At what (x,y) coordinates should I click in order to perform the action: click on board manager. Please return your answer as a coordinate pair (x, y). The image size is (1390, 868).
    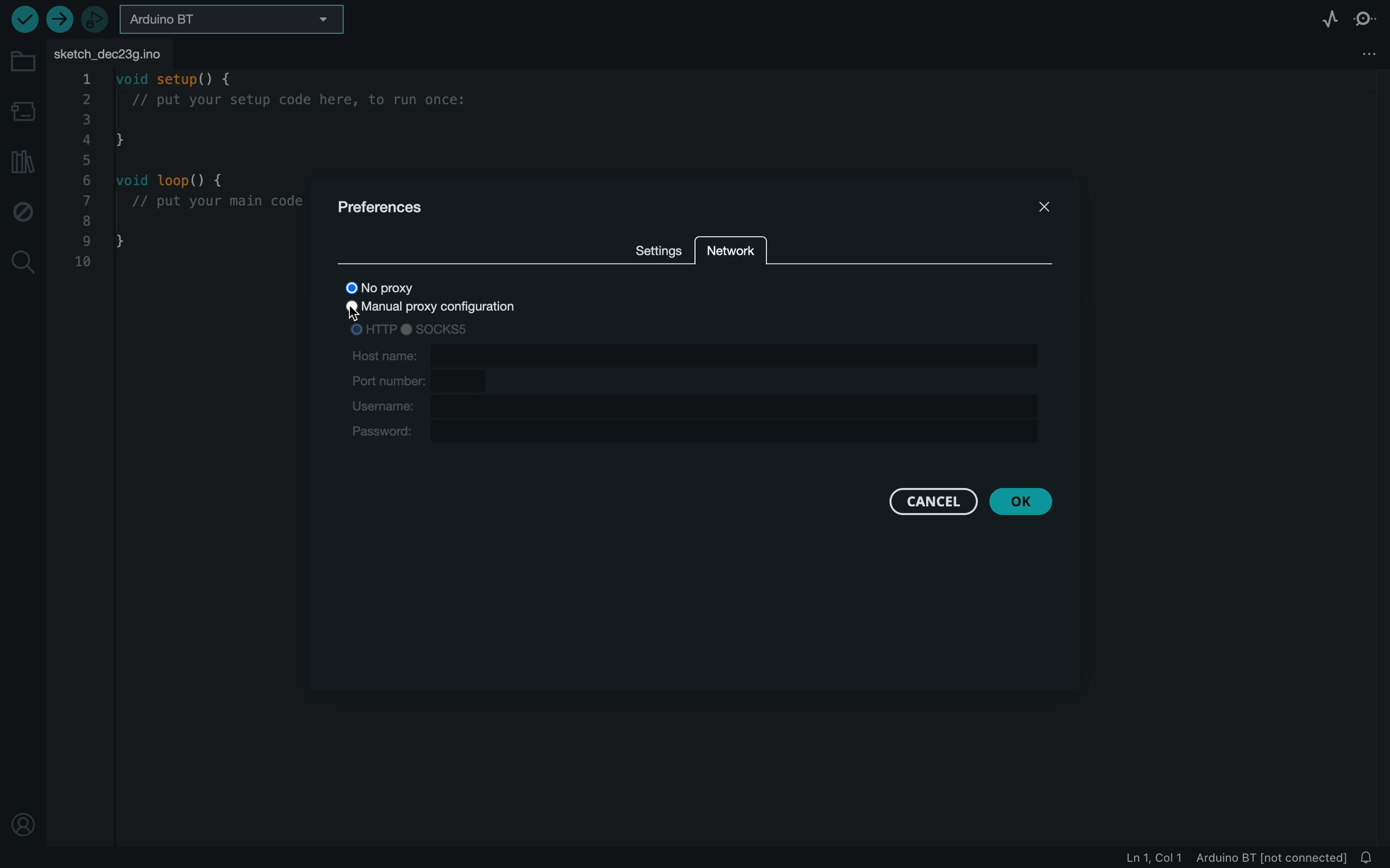
    Looking at the image, I should click on (25, 114).